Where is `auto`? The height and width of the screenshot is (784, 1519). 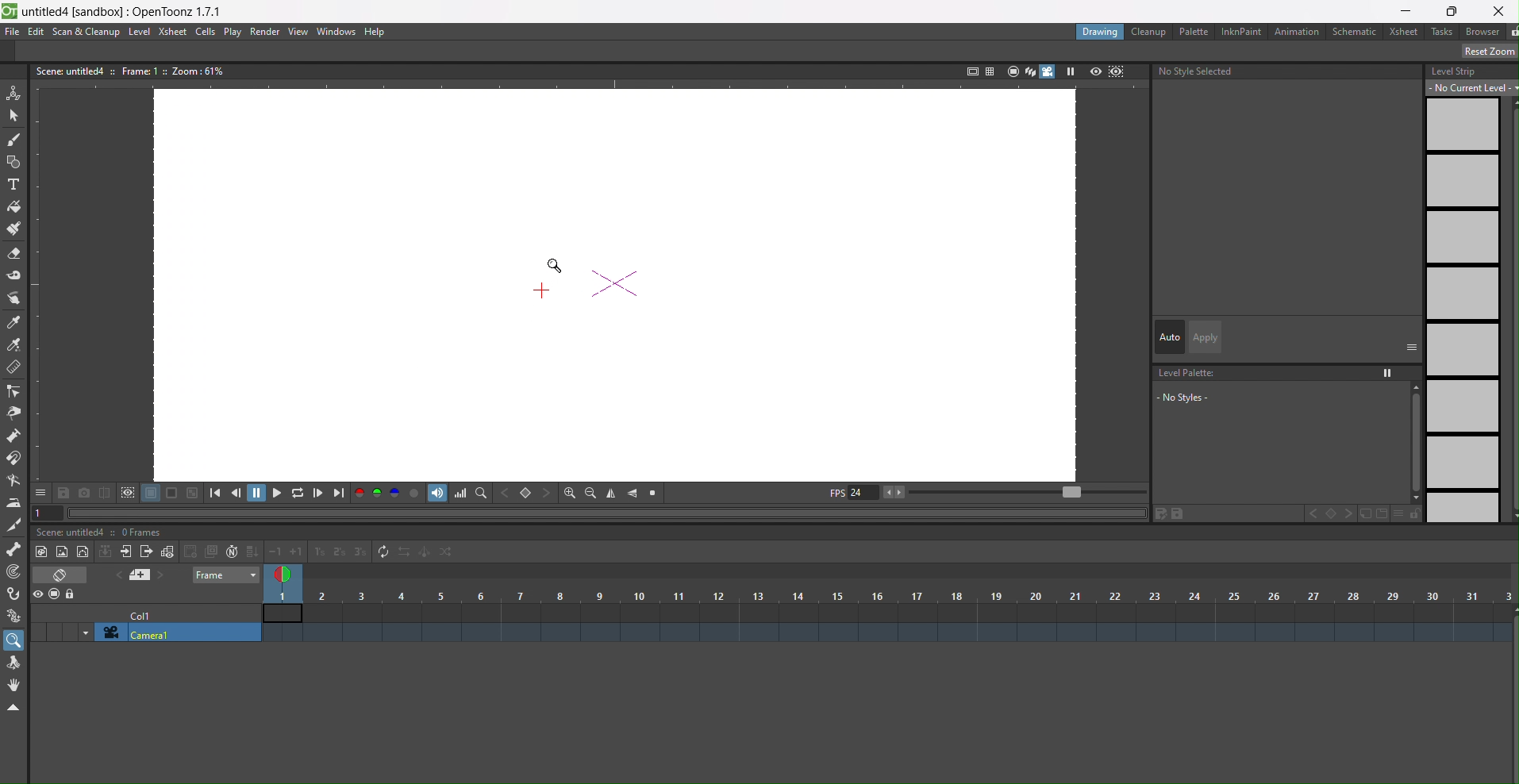
auto is located at coordinates (1169, 336).